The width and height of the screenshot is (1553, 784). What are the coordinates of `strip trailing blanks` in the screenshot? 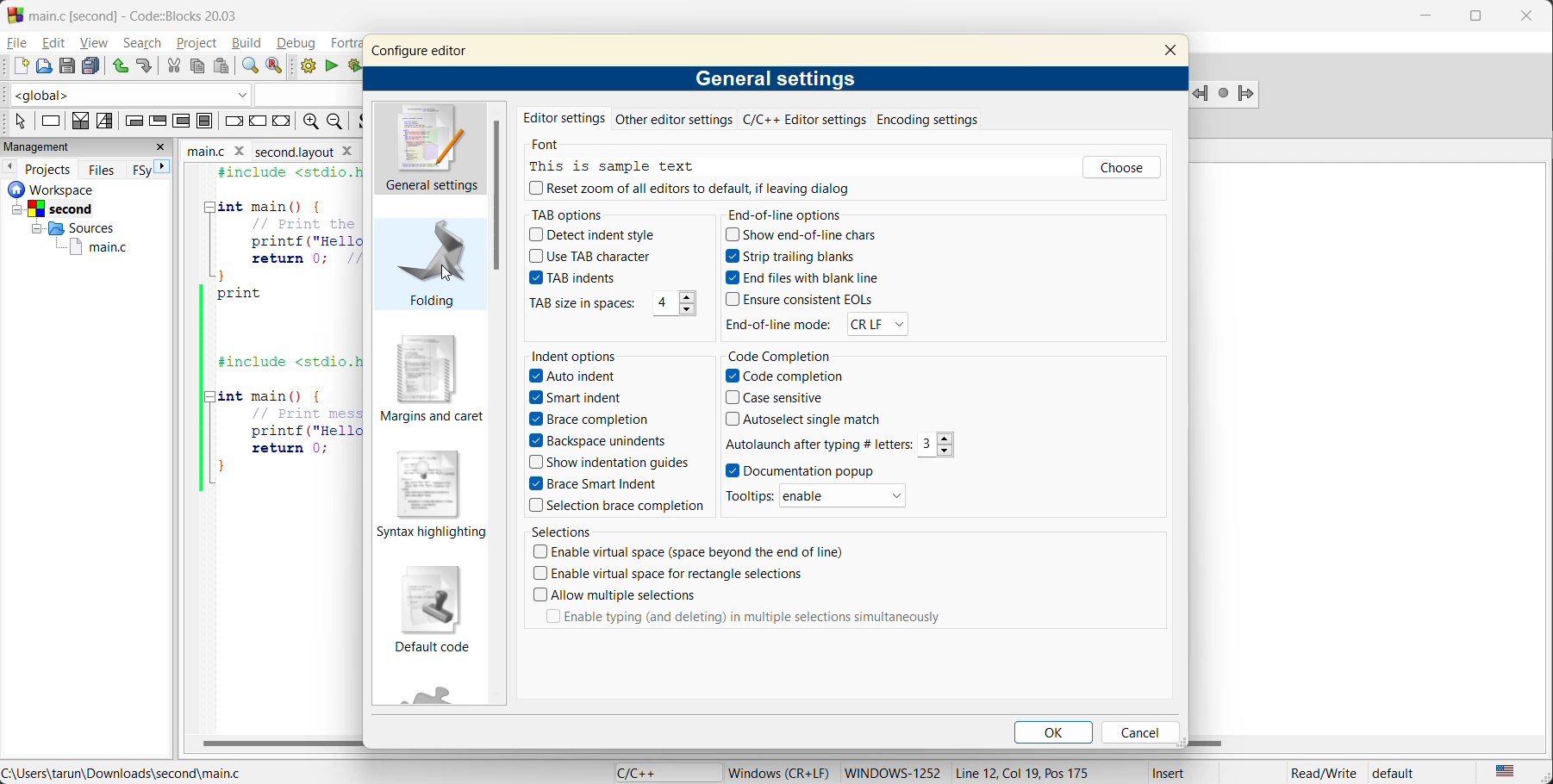 It's located at (803, 257).